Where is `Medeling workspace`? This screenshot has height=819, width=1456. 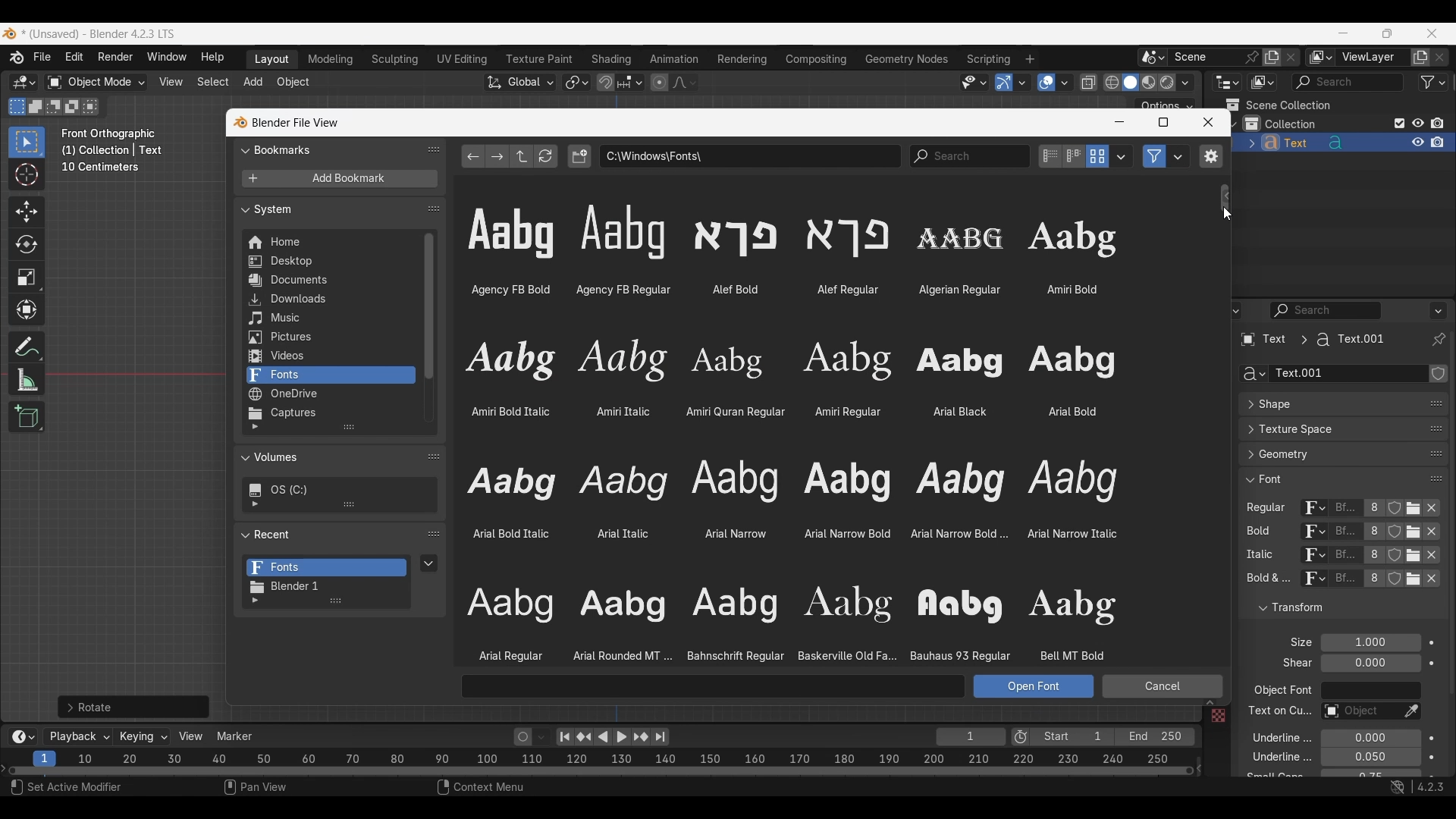
Medeling workspace is located at coordinates (331, 60).